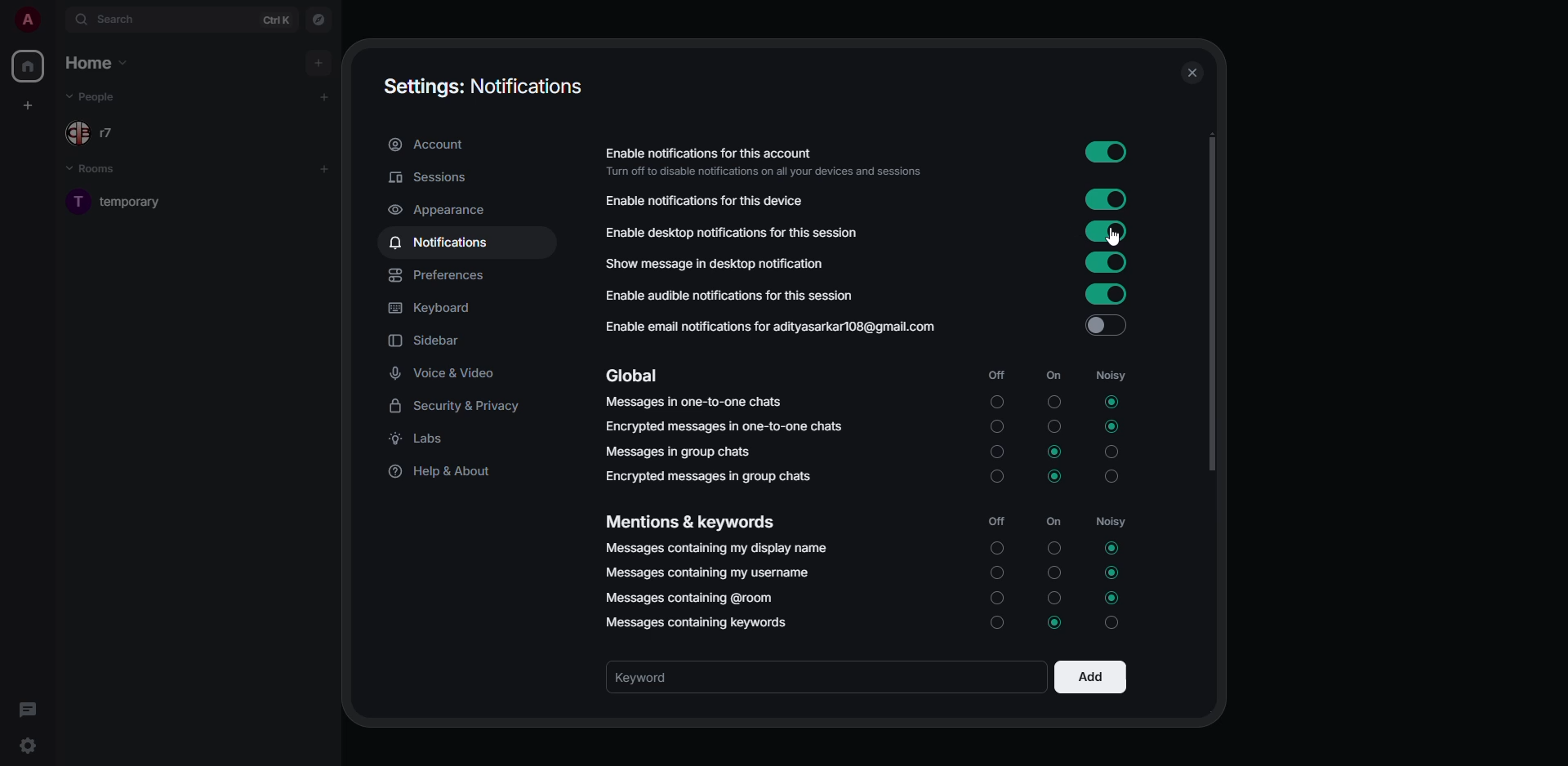 The width and height of the screenshot is (1568, 766). What do you see at coordinates (727, 426) in the screenshot?
I see `encrypted messages in one on one chats` at bounding box center [727, 426].